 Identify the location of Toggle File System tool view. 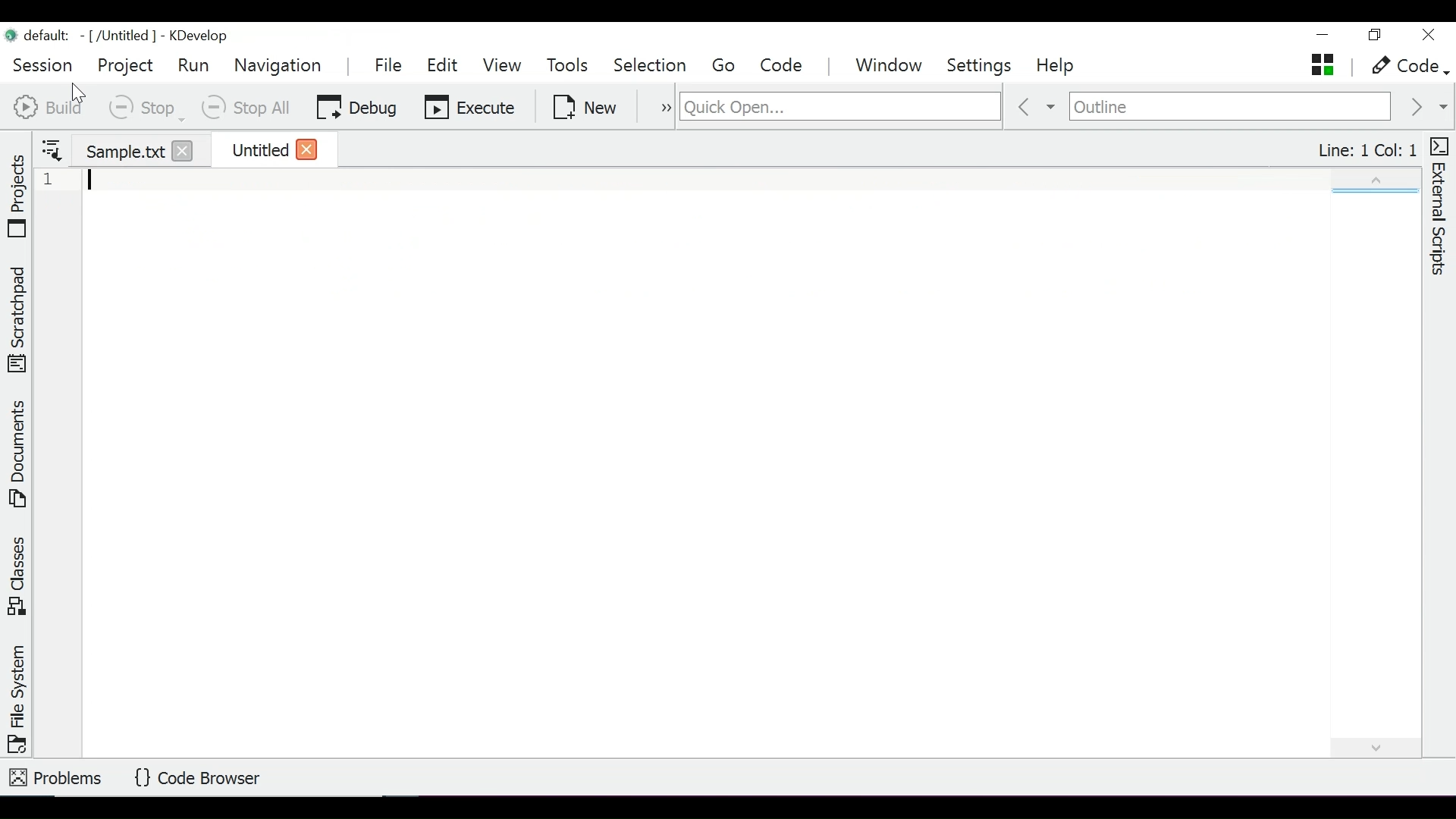
(14, 697).